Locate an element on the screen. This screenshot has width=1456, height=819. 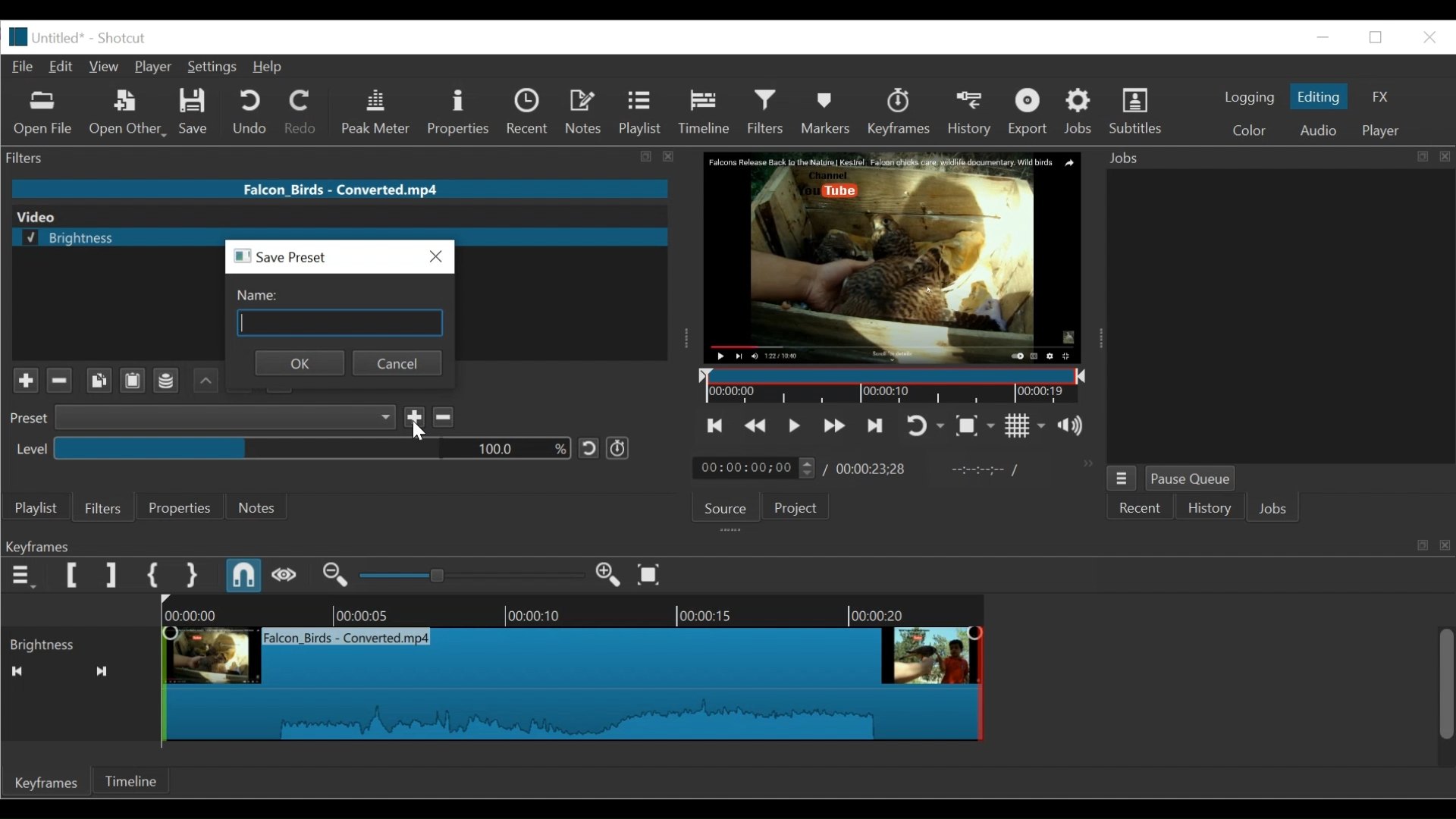
selected brightness is located at coordinates (107, 238).